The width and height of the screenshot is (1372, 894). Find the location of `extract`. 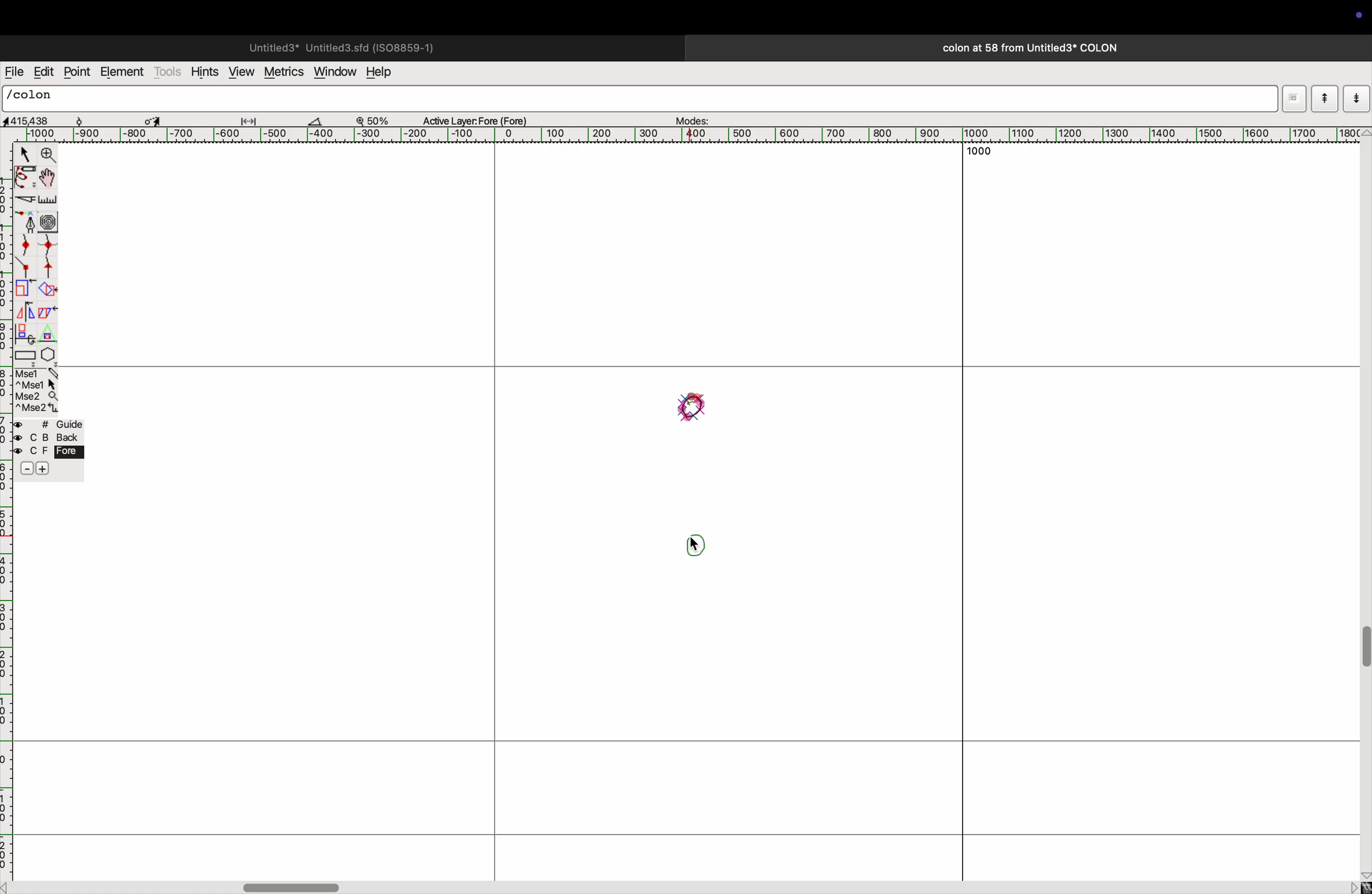

extract is located at coordinates (47, 290).